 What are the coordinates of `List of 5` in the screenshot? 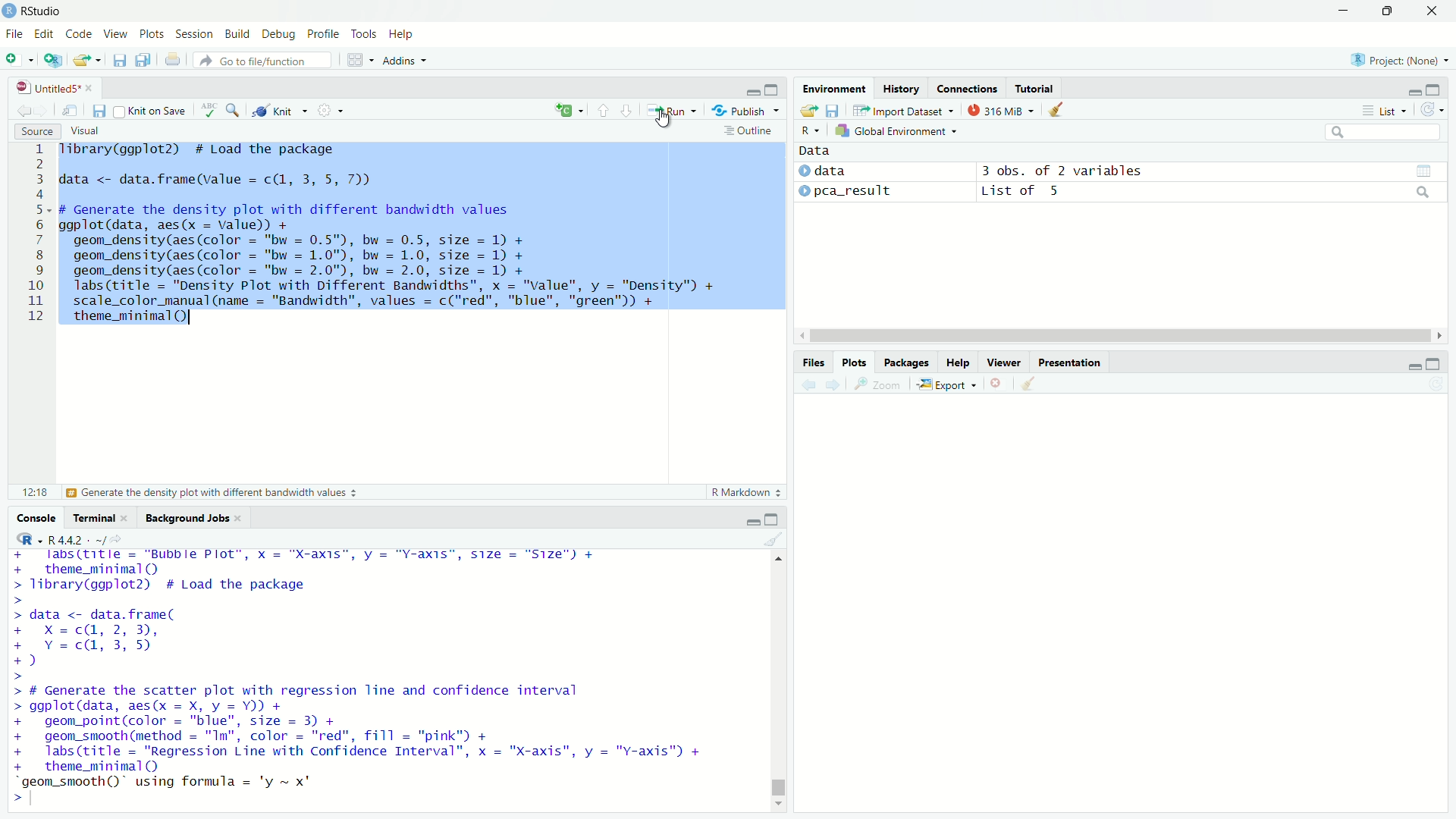 It's located at (1023, 192).